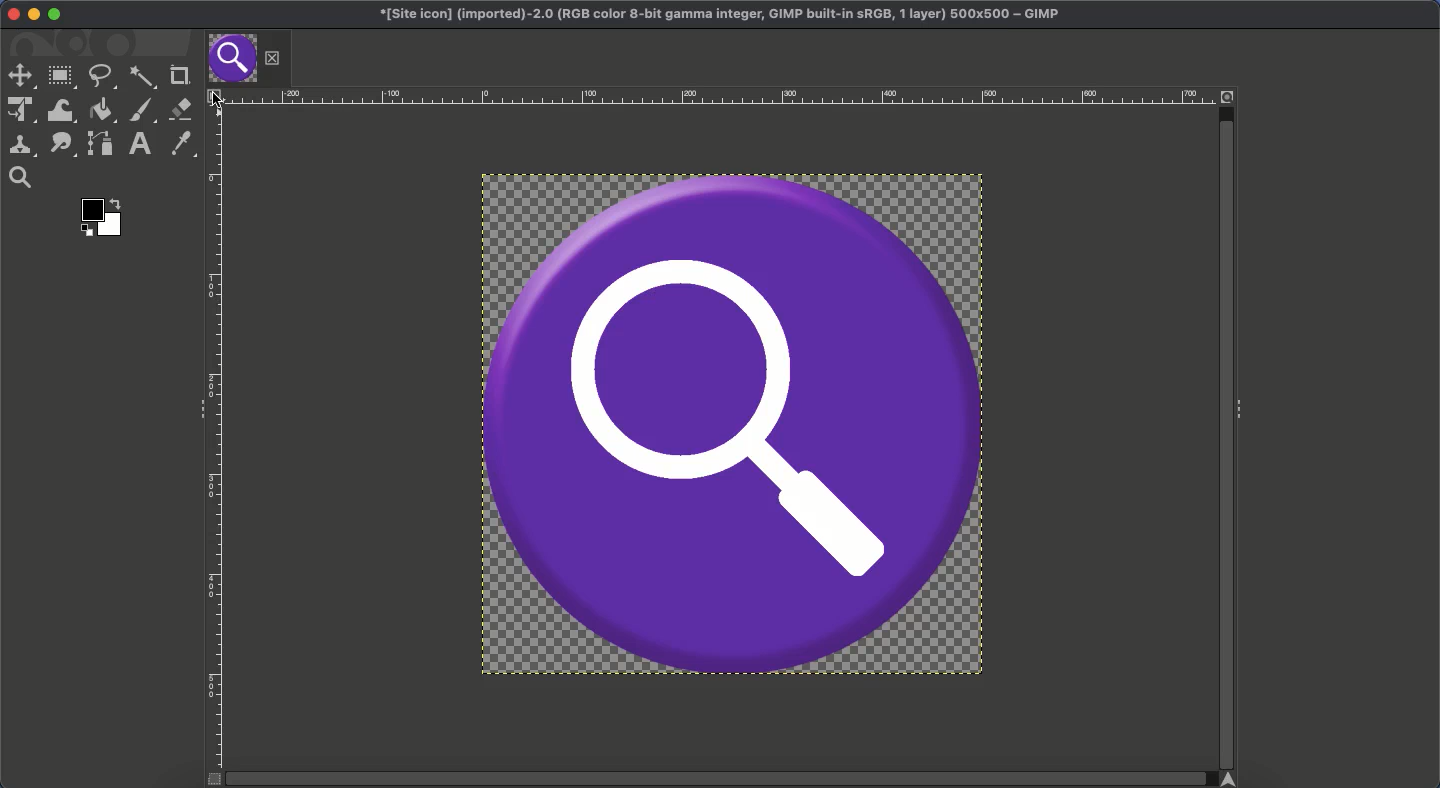  I want to click on Unified transformation, so click(17, 111).